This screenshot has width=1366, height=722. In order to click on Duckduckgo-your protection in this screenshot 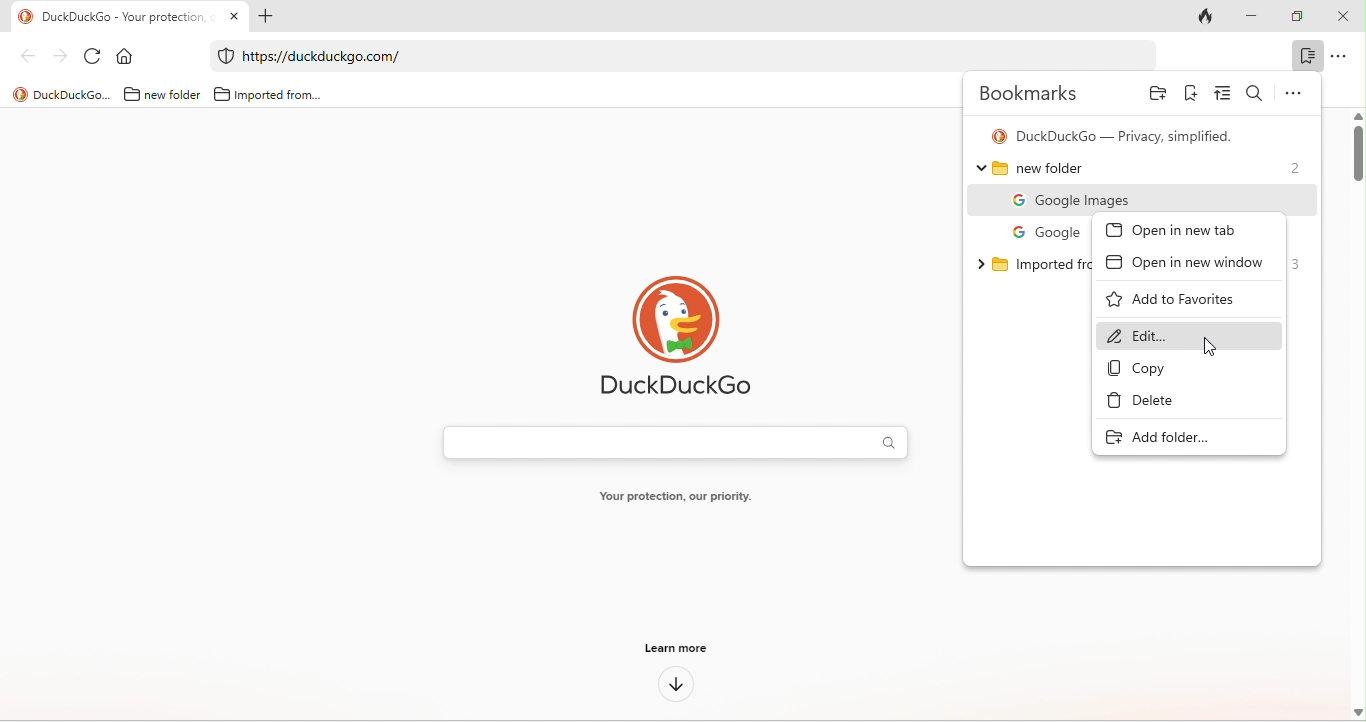, I will do `click(122, 15)`.